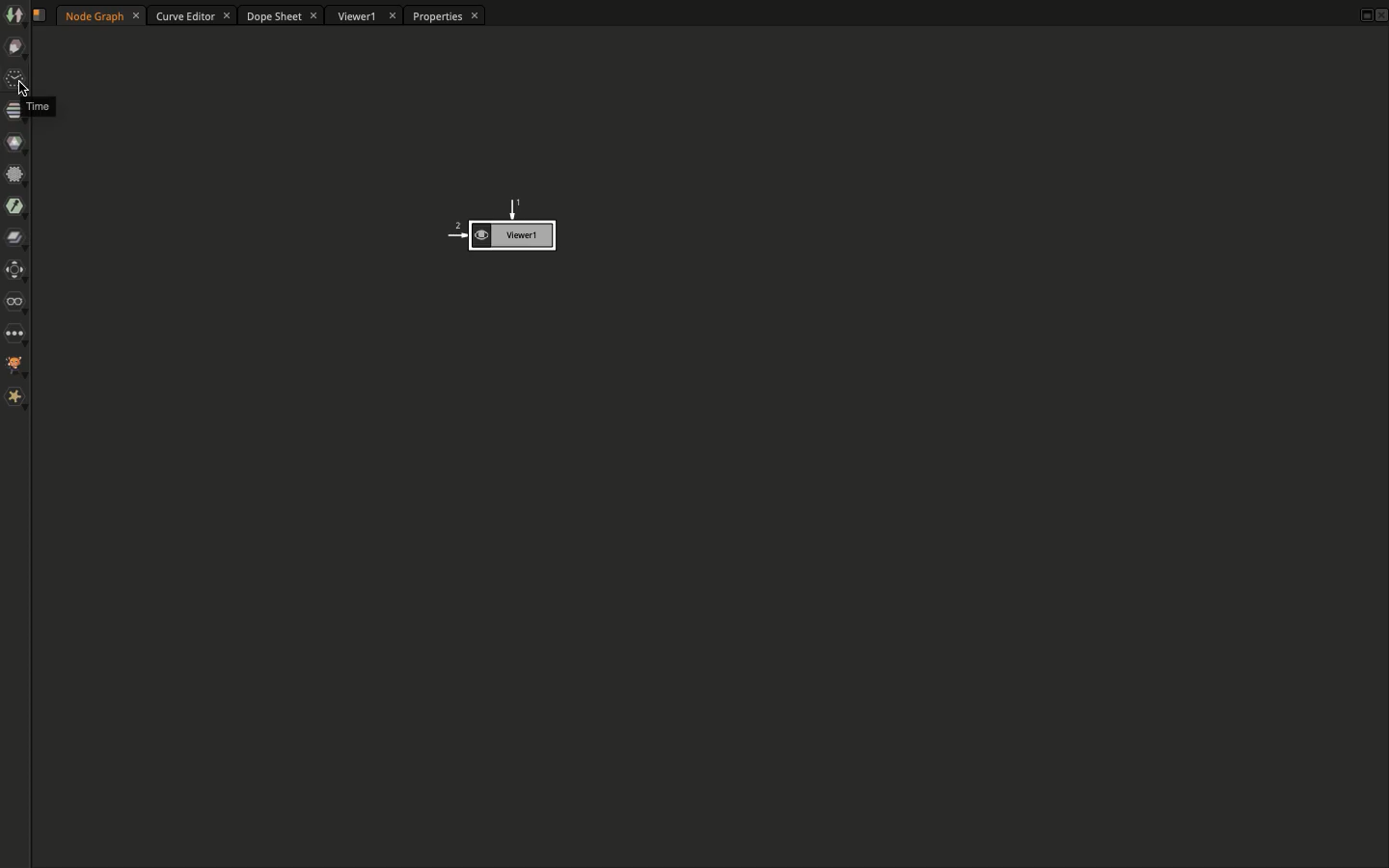 This screenshot has width=1389, height=868. What do you see at coordinates (44, 16) in the screenshot?
I see `Script name` at bounding box center [44, 16].